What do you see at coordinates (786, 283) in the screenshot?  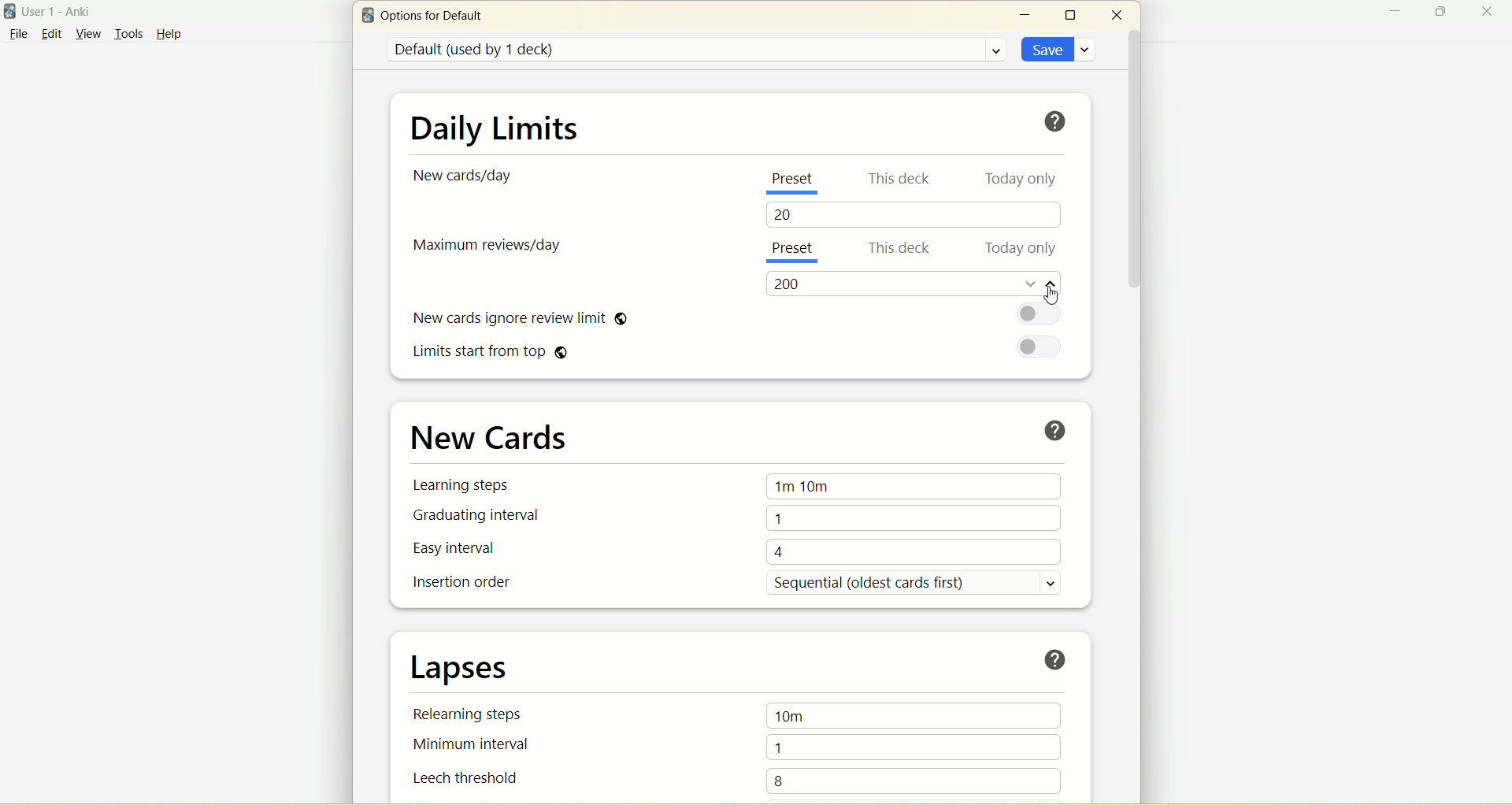 I see `200` at bounding box center [786, 283].